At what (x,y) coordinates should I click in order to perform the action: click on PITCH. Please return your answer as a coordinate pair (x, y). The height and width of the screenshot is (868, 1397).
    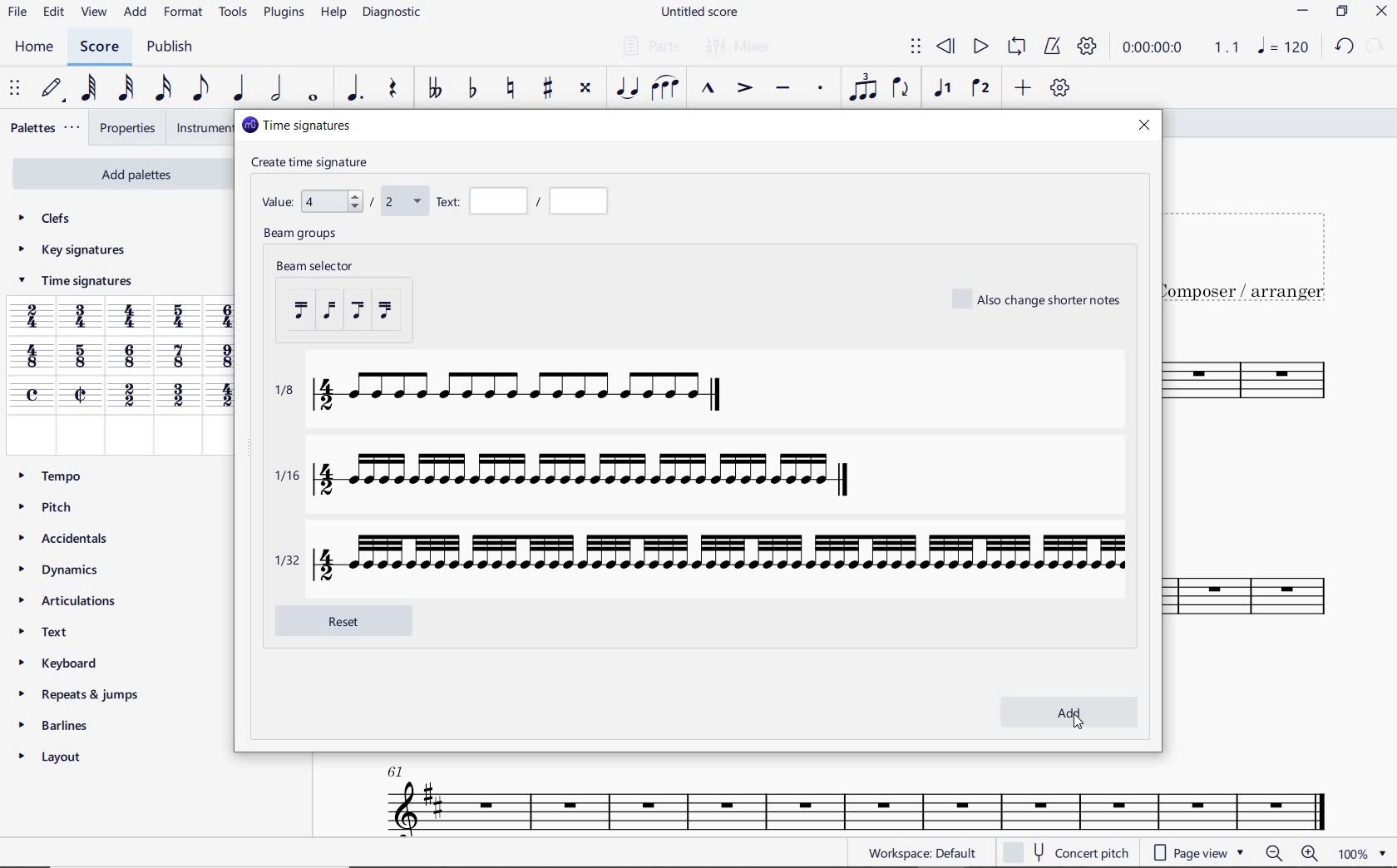
    Looking at the image, I should click on (51, 508).